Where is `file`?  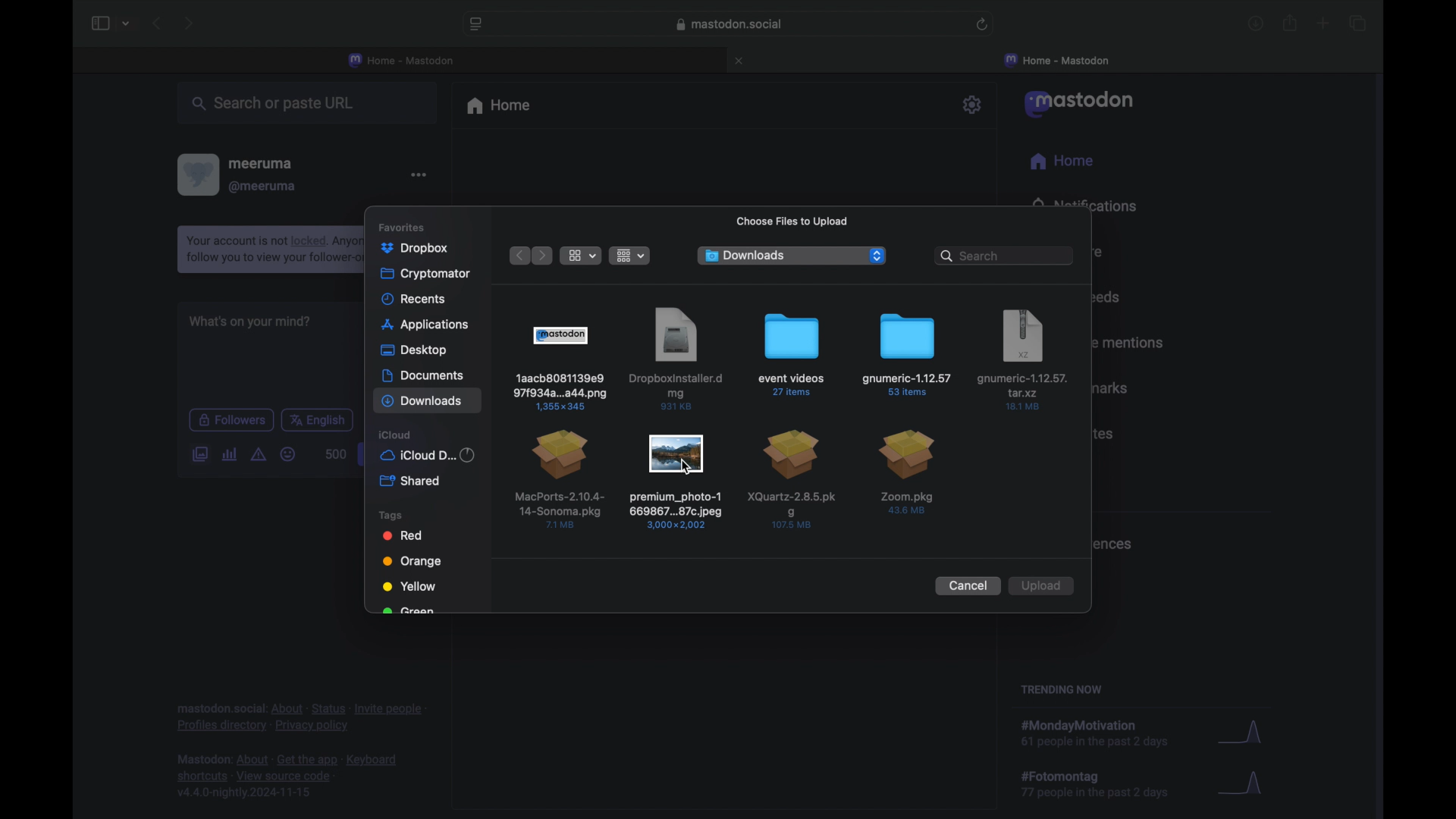 file is located at coordinates (675, 481).